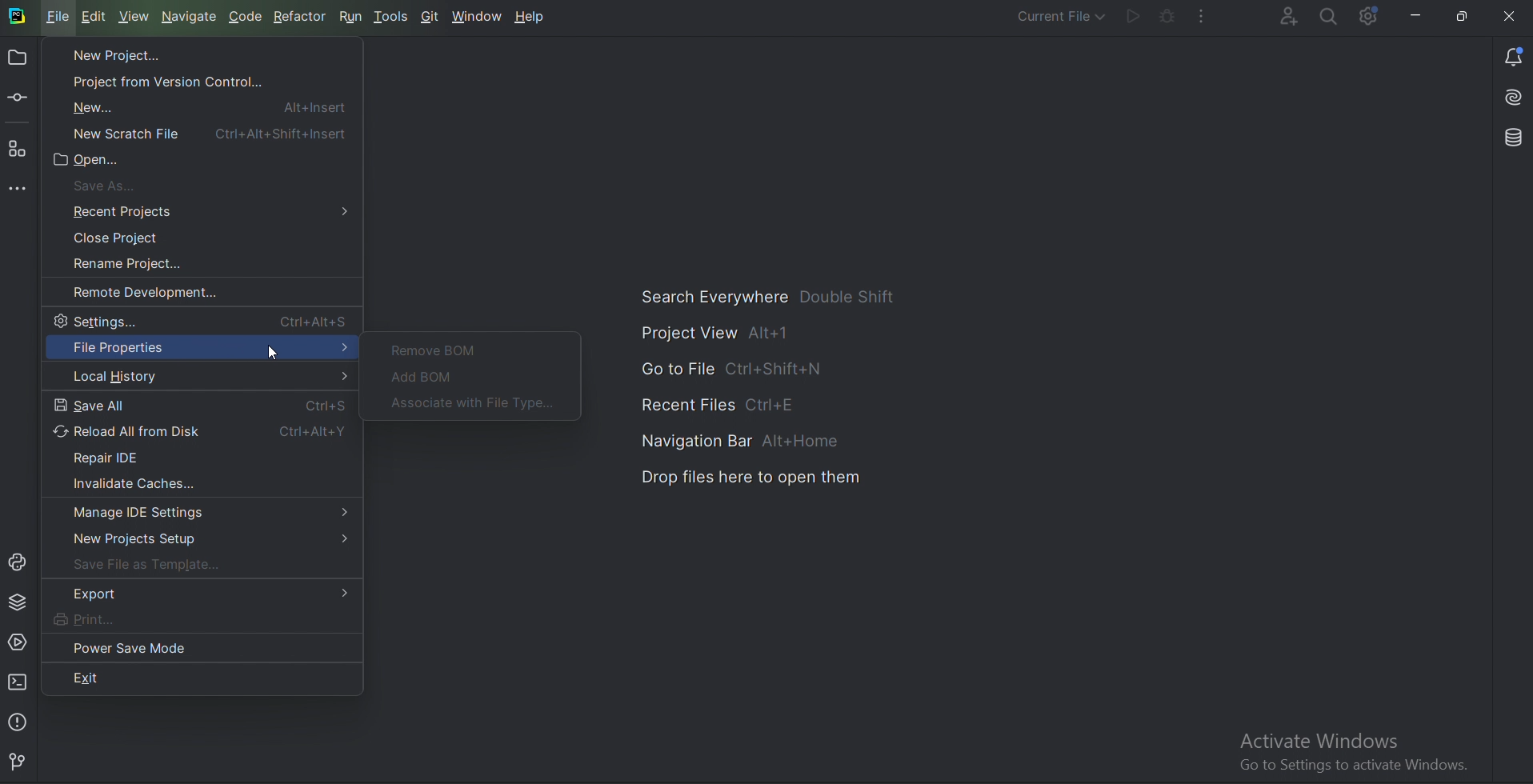 This screenshot has width=1533, height=784. I want to click on Databse, so click(1517, 136).